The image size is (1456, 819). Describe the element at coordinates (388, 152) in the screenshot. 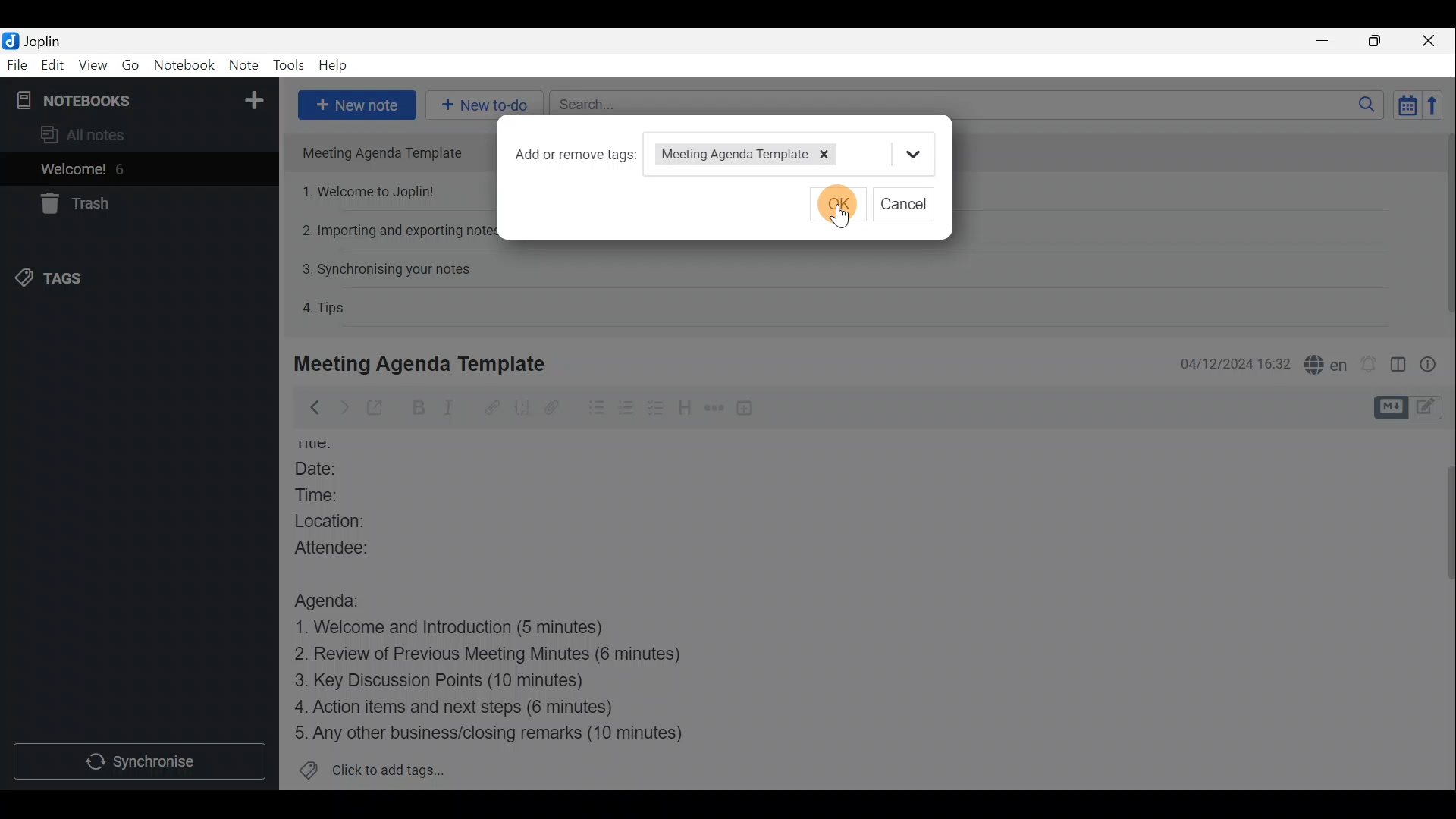

I see `Meeting Agenda Template` at that location.